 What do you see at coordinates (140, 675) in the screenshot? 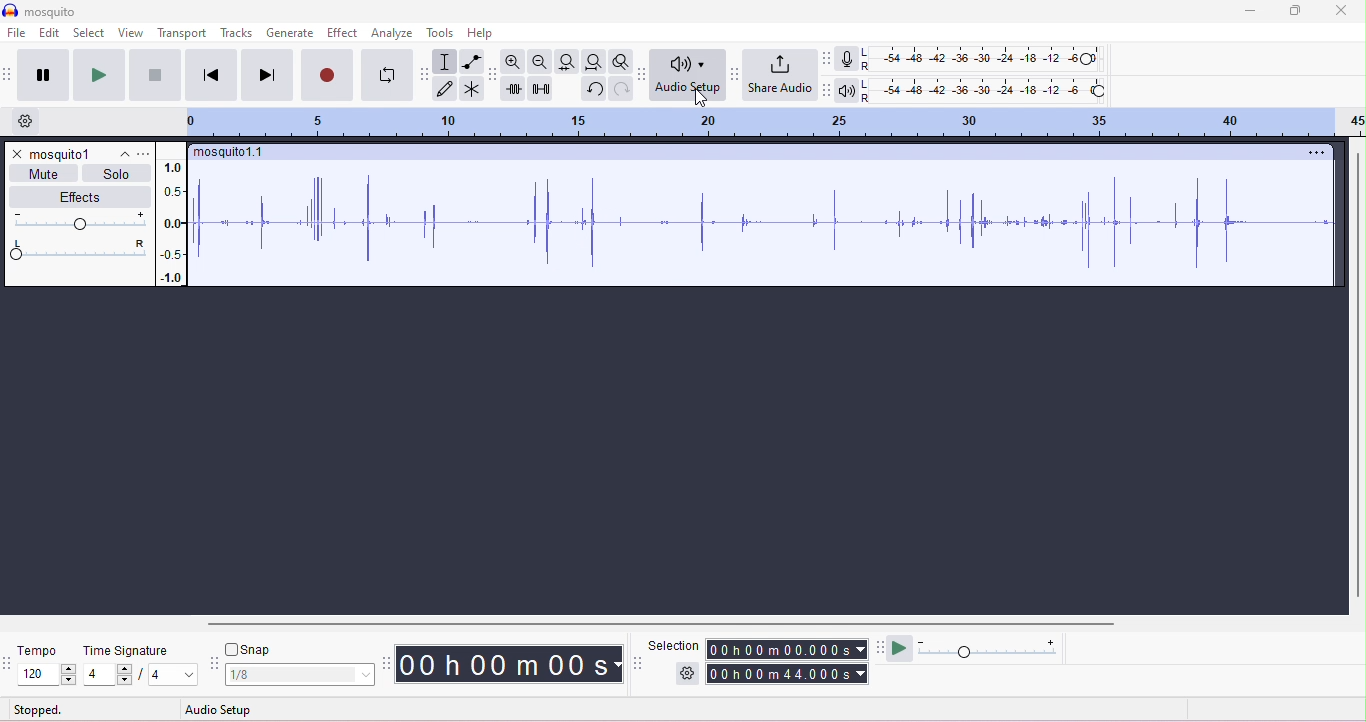
I see `select time signature` at bounding box center [140, 675].